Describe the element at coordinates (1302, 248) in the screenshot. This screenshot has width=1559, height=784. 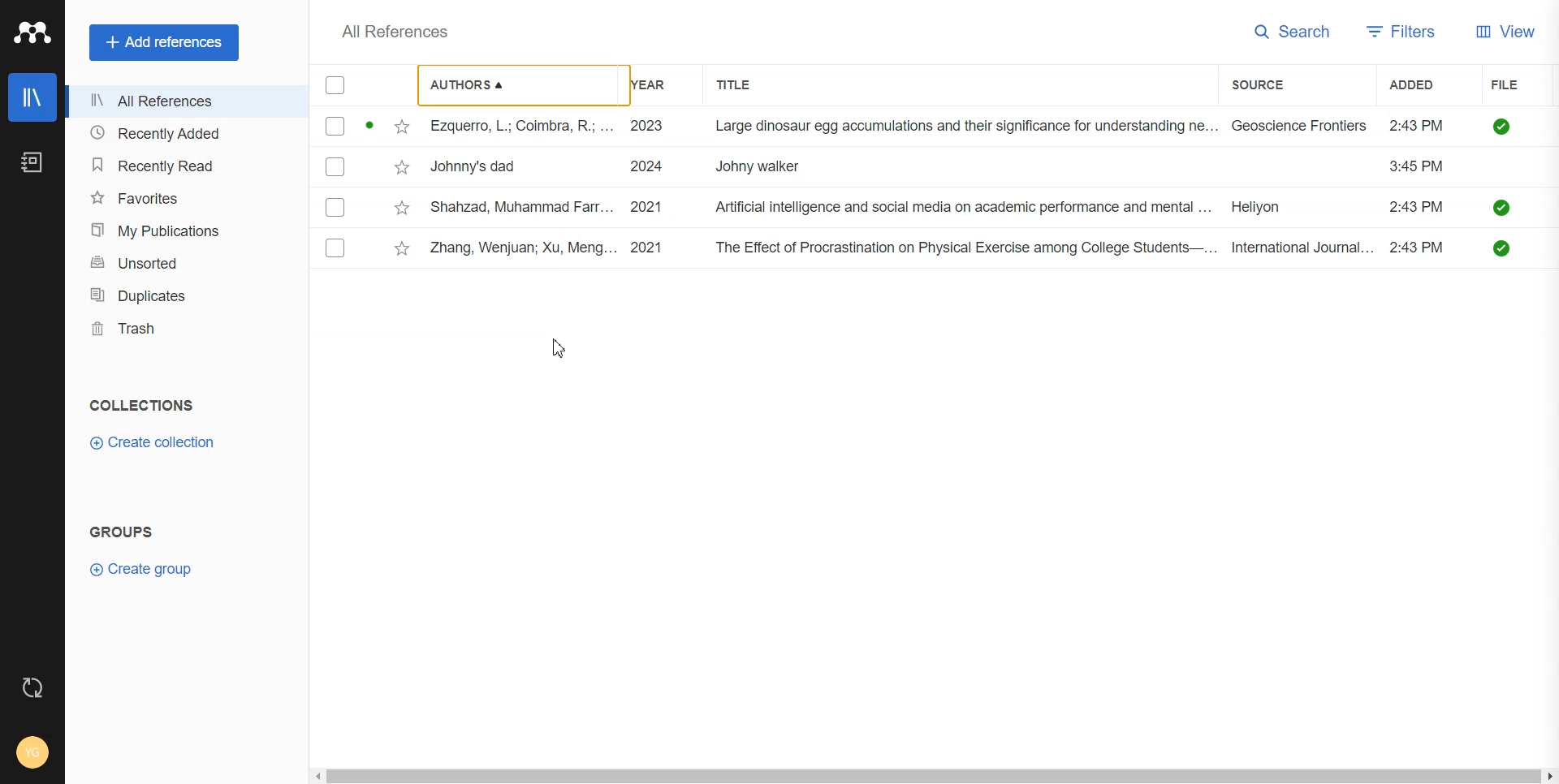
I see `International Journal` at that location.